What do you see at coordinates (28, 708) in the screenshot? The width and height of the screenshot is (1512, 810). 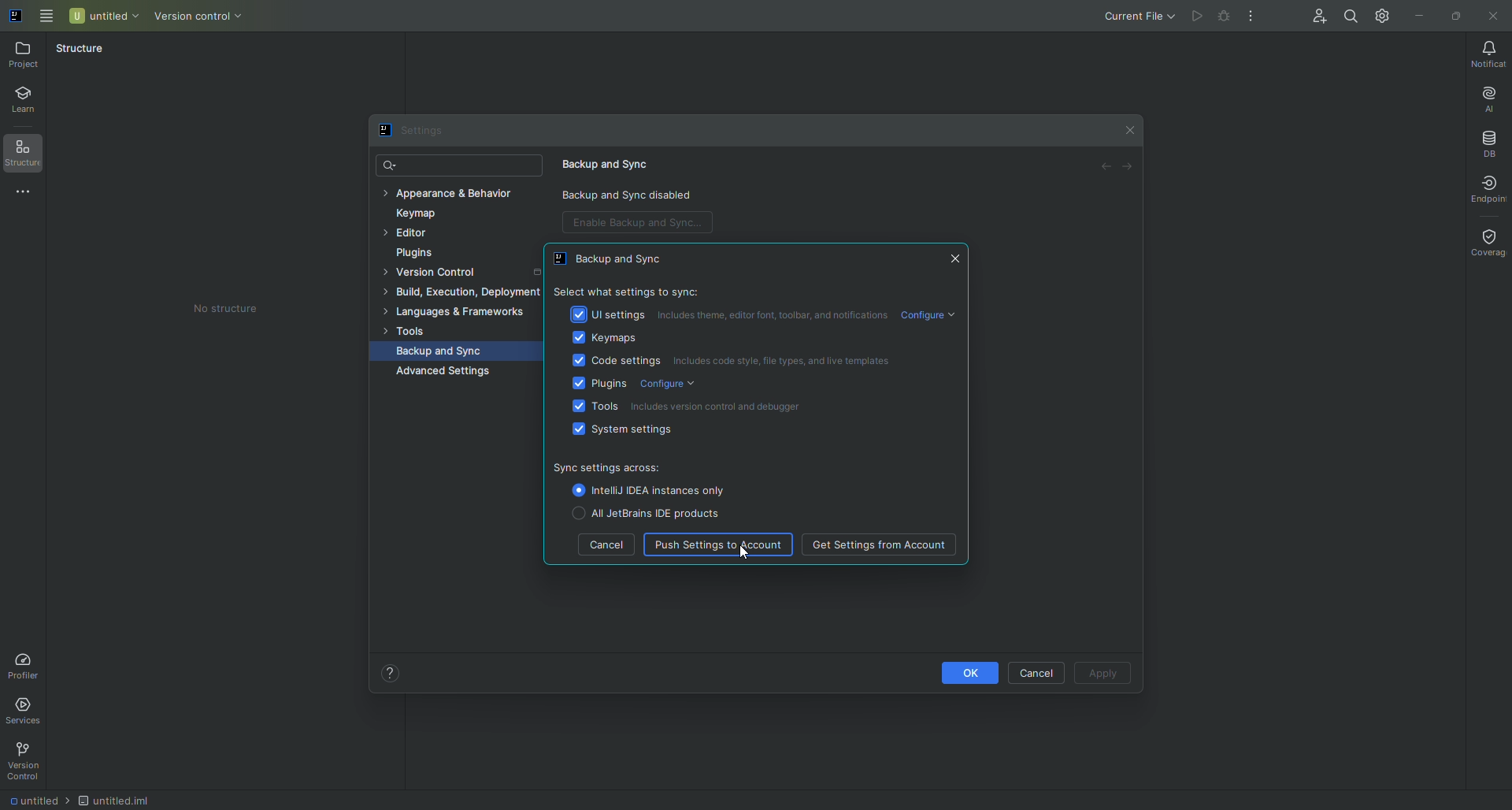 I see `Services` at bounding box center [28, 708].